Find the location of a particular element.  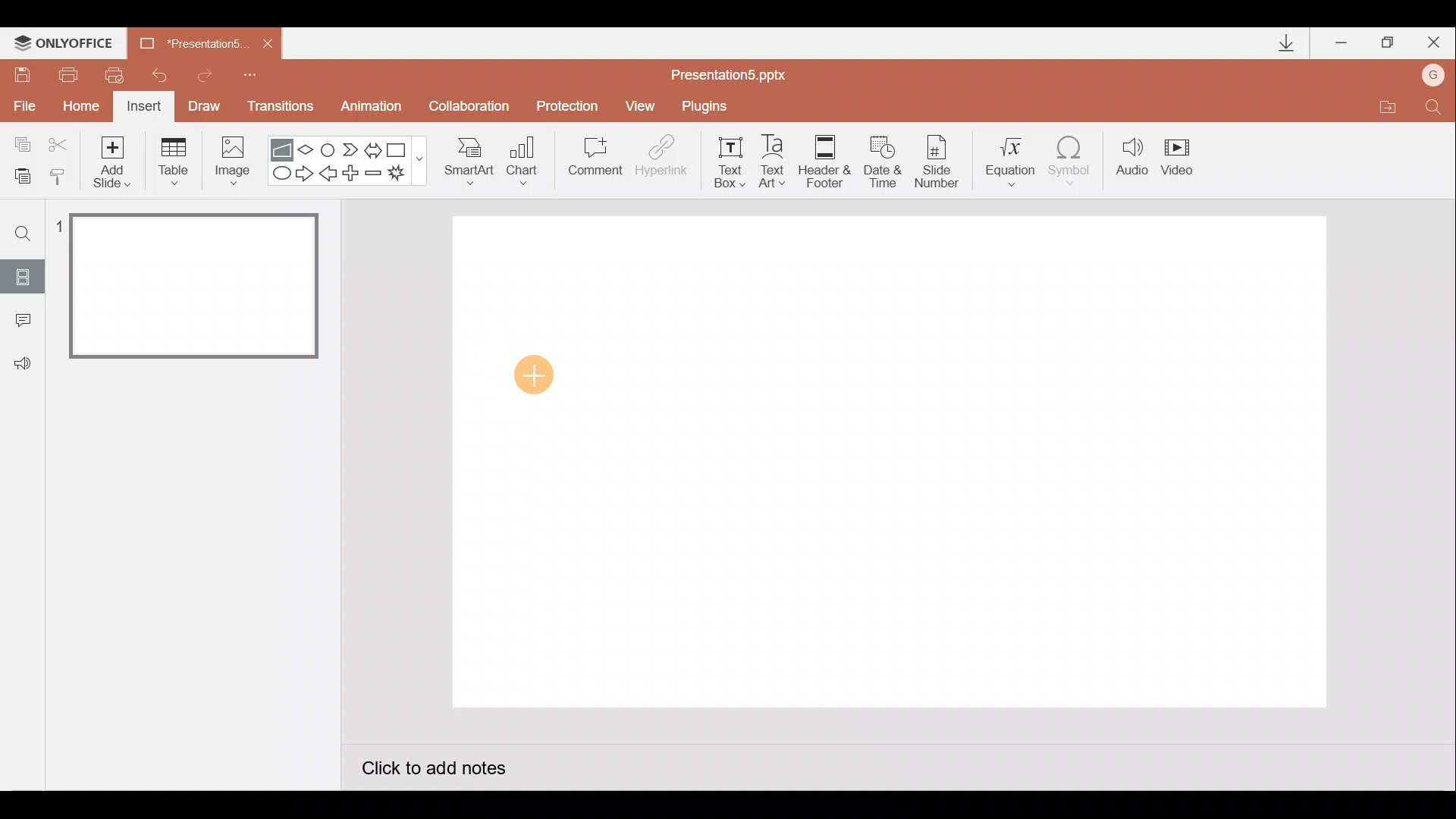

Transitions is located at coordinates (278, 108).